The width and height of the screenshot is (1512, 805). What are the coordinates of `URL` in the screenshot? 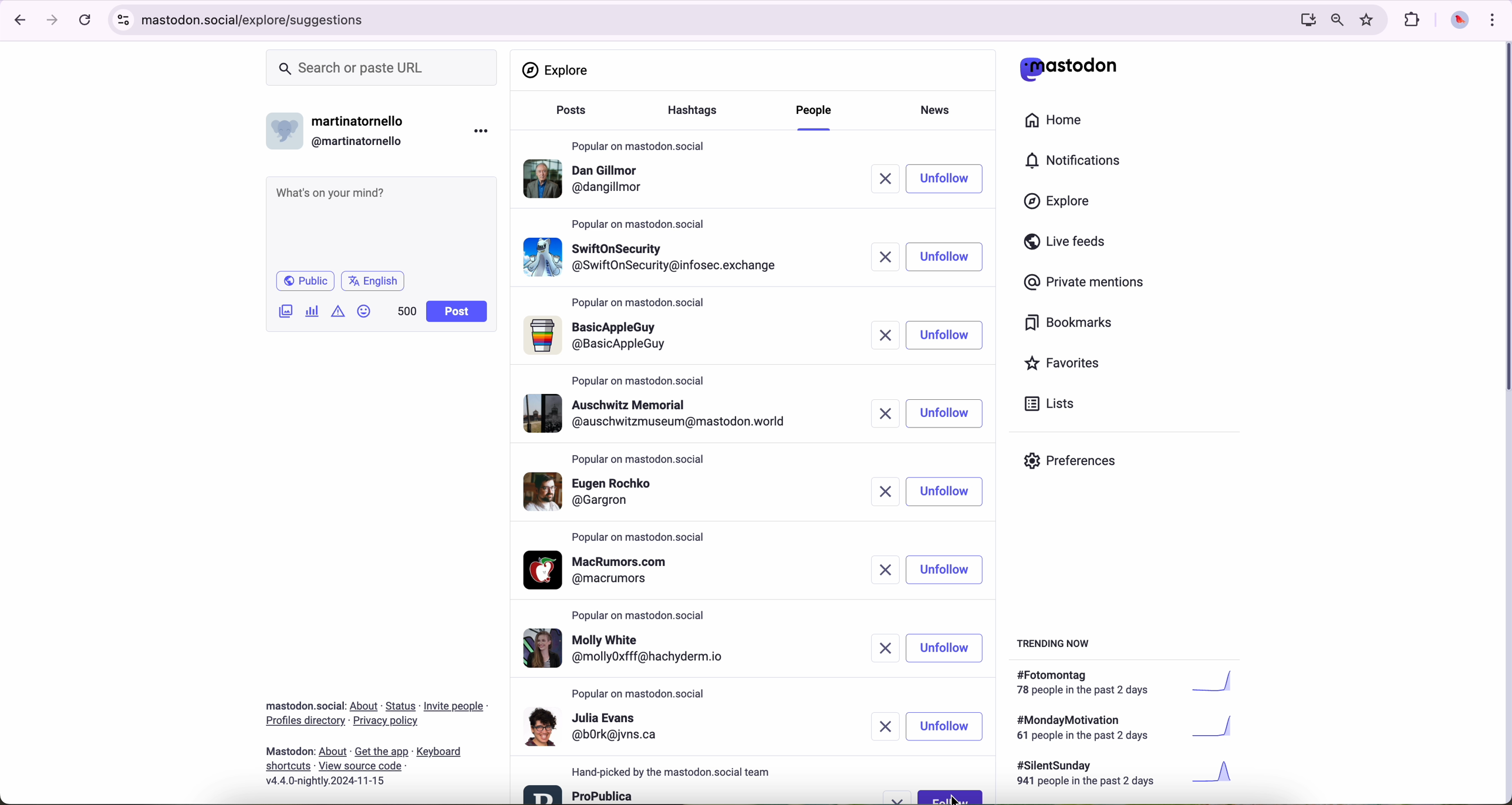 It's located at (258, 18).